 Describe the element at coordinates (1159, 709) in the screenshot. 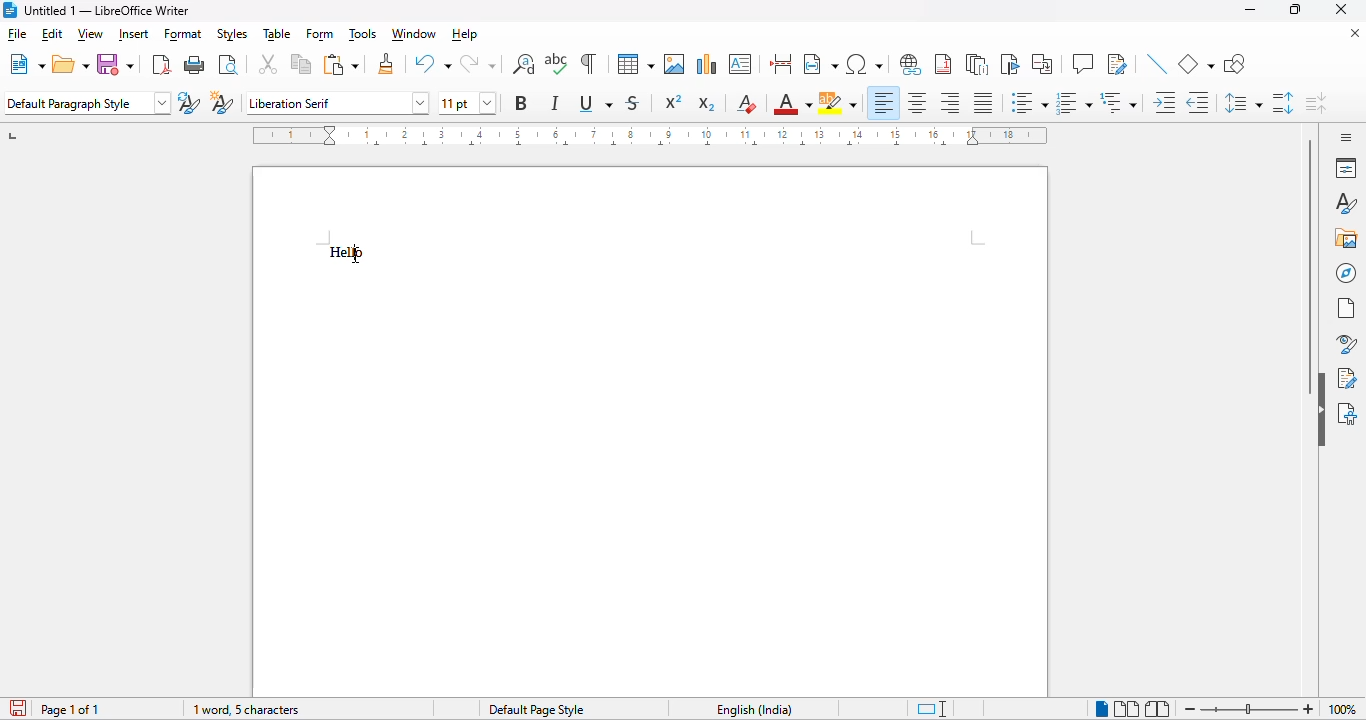

I see `book view` at that location.